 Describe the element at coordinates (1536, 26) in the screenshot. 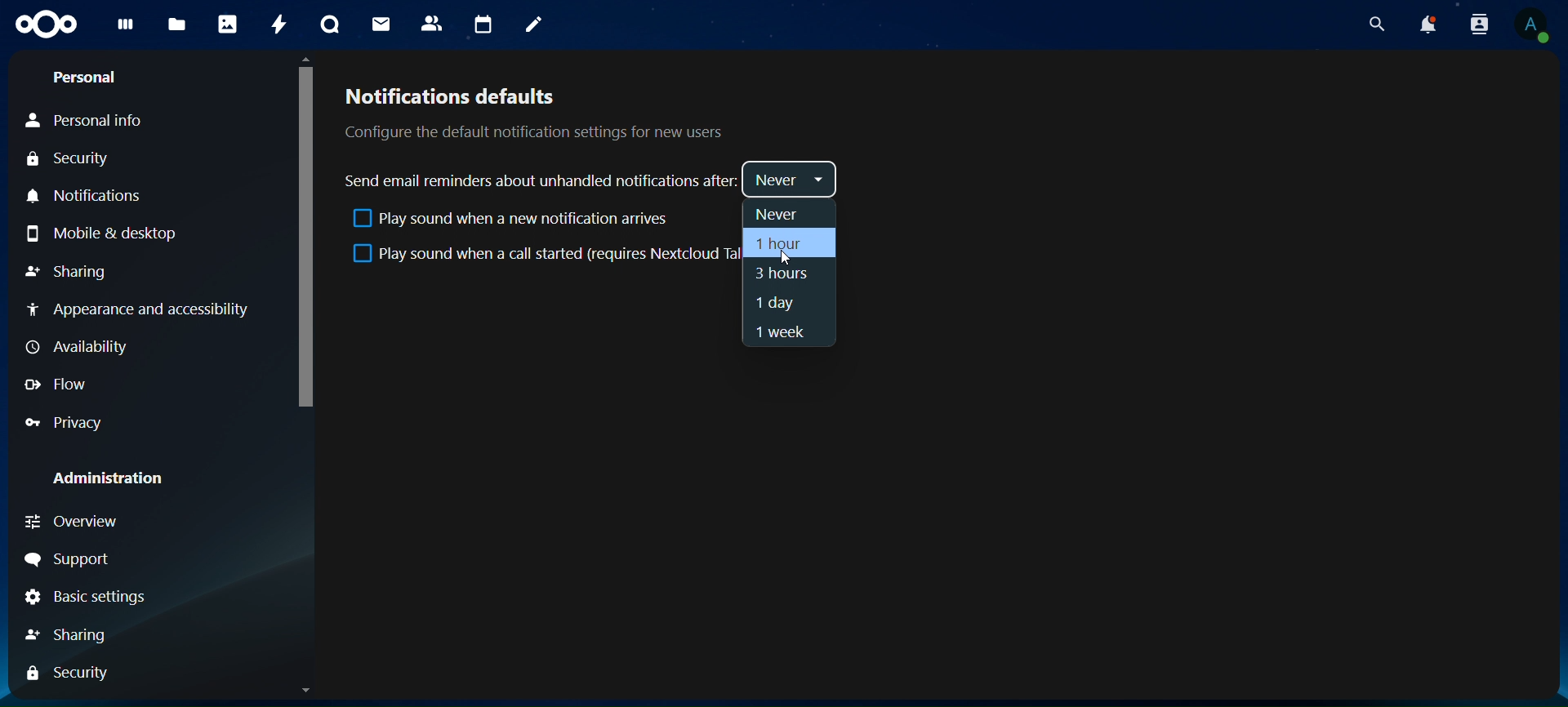

I see `View Profile` at that location.